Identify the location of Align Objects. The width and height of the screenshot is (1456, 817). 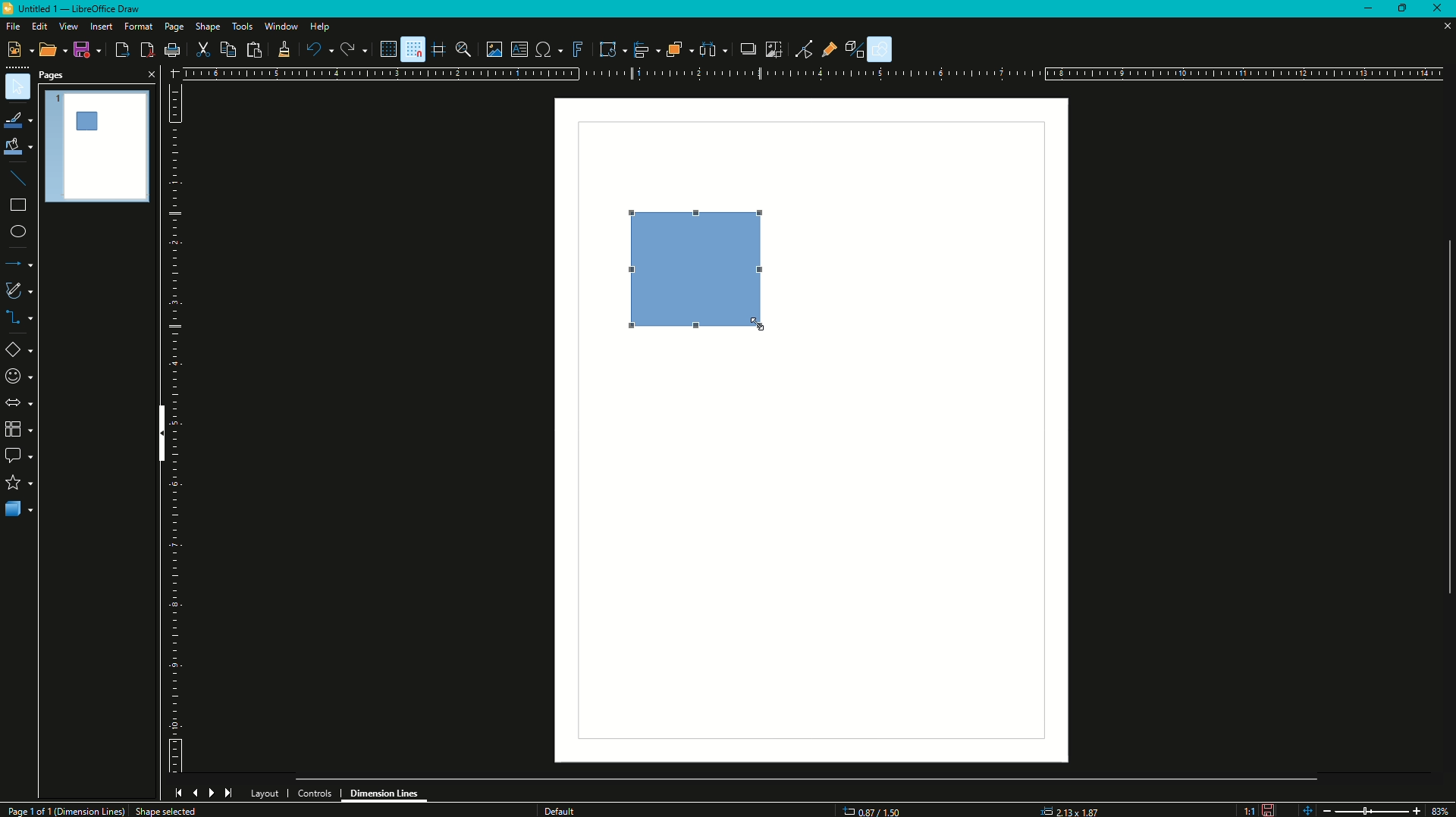
(643, 50).